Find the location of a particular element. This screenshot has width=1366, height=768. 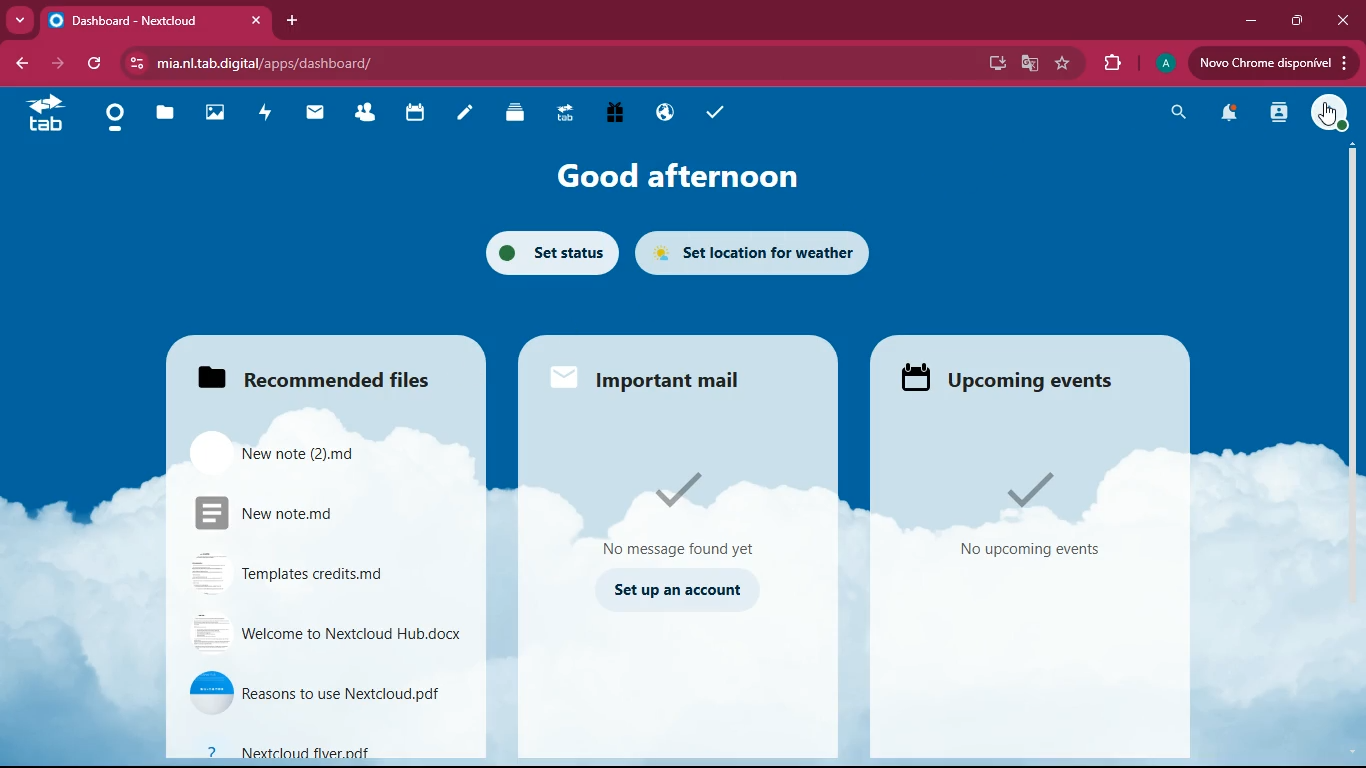

set up is located at coordinates (680, 591).